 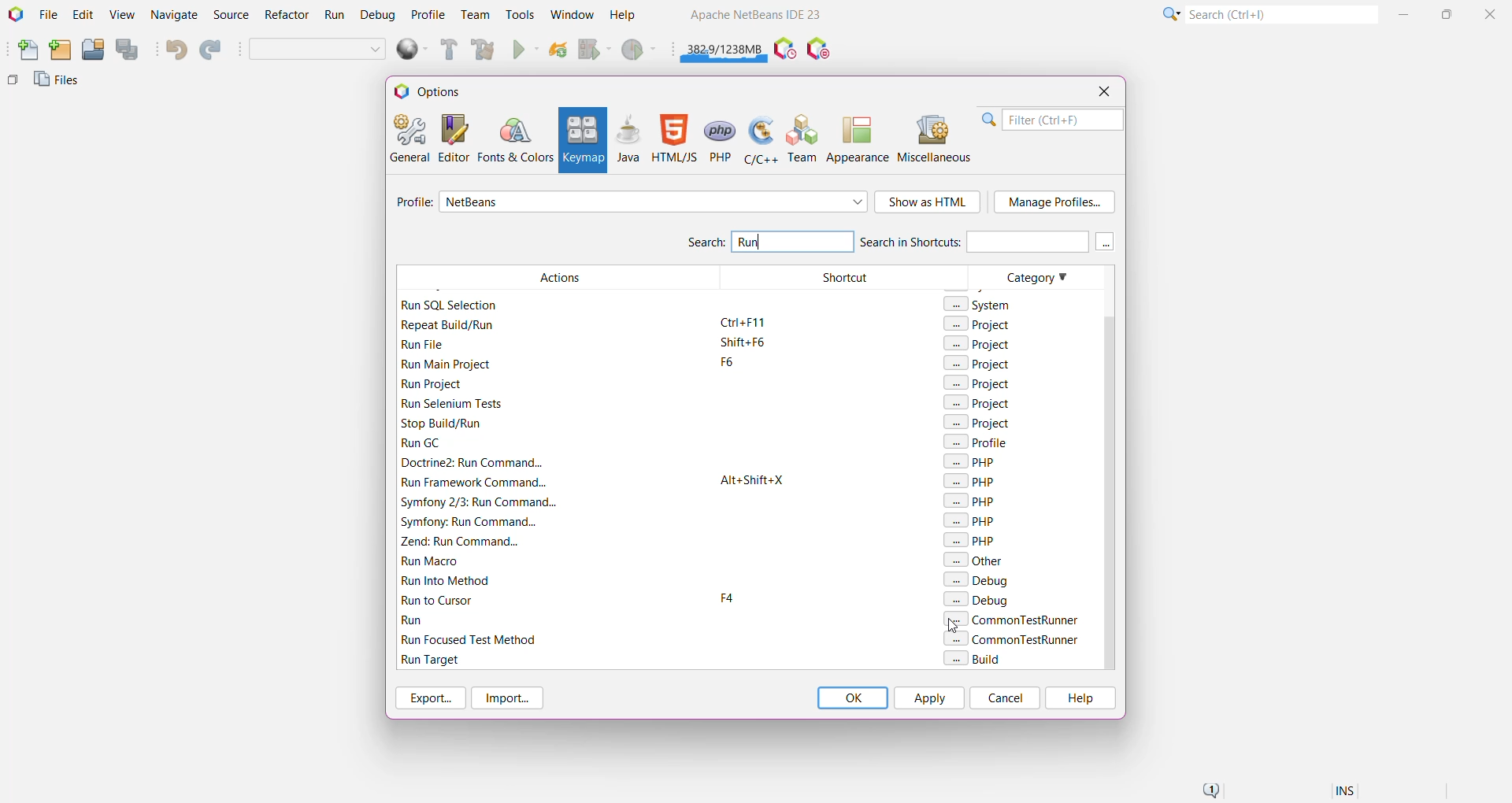 What do you see at coordinates (630, 17) in the screenshot?
I see `Help` at bounding box center [630, 17].